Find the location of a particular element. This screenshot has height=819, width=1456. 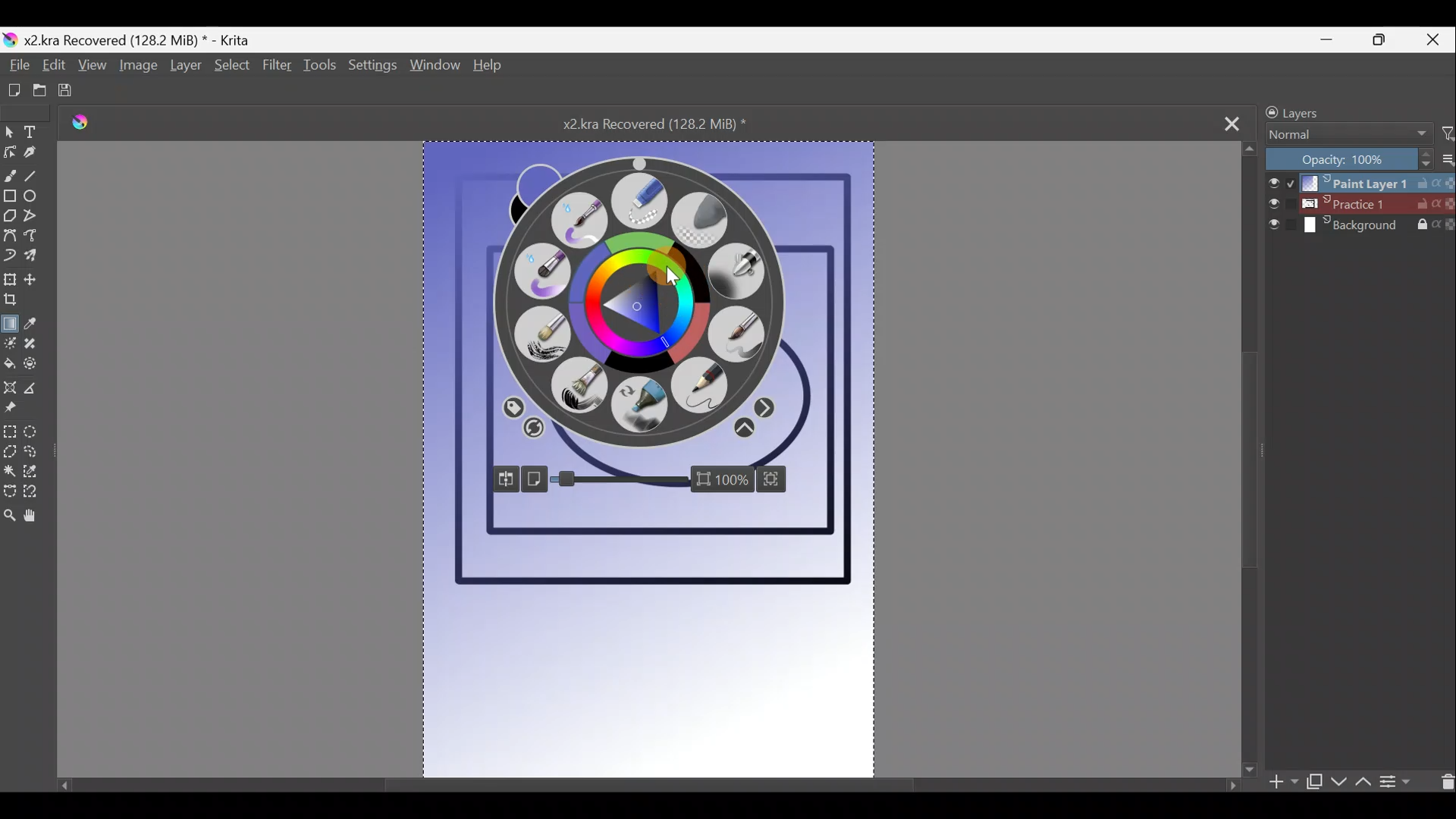

Magnetic curve selection tool is located at coordinates (33, 498).